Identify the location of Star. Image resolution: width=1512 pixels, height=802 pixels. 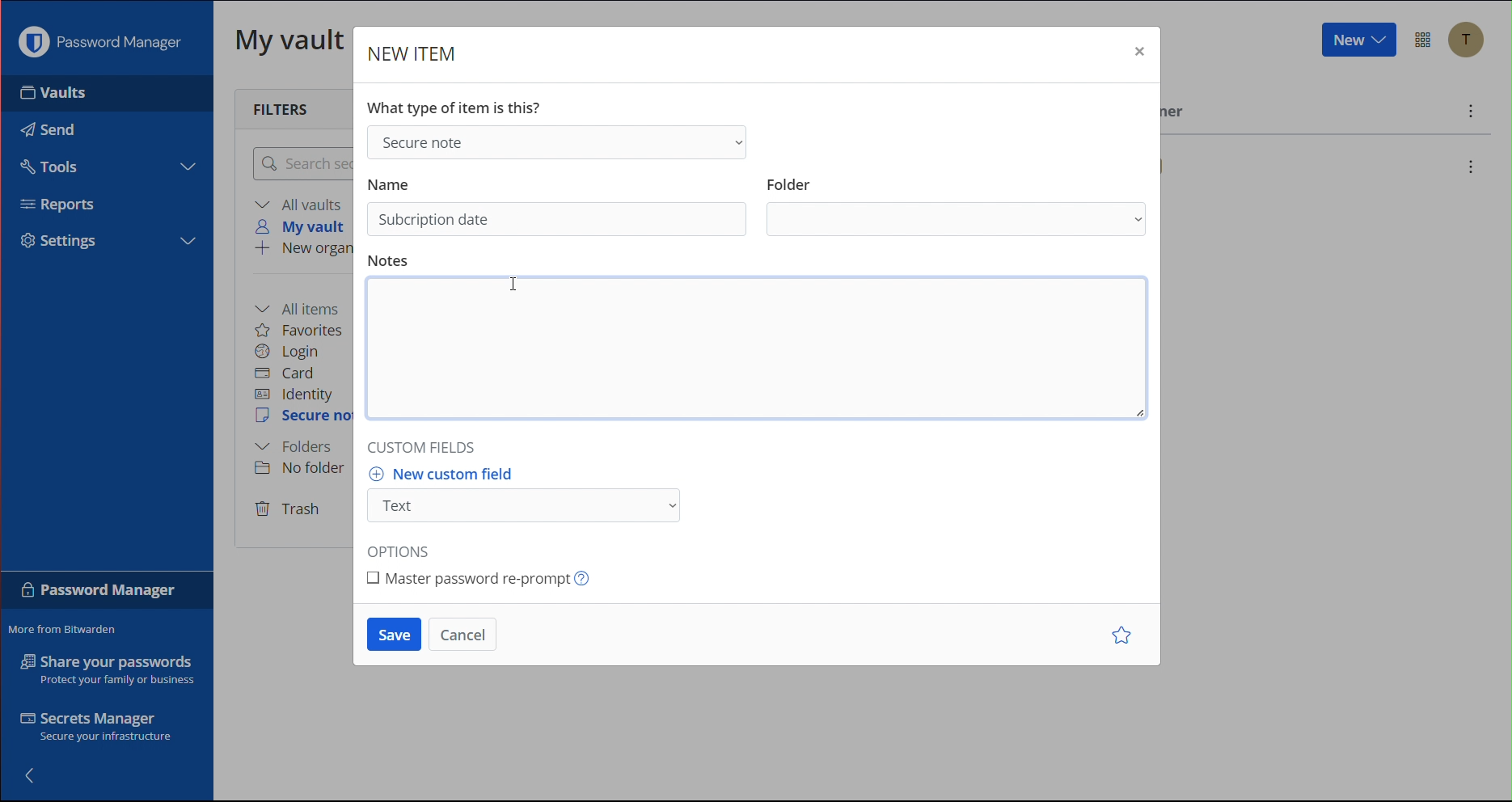
(1125, 636).